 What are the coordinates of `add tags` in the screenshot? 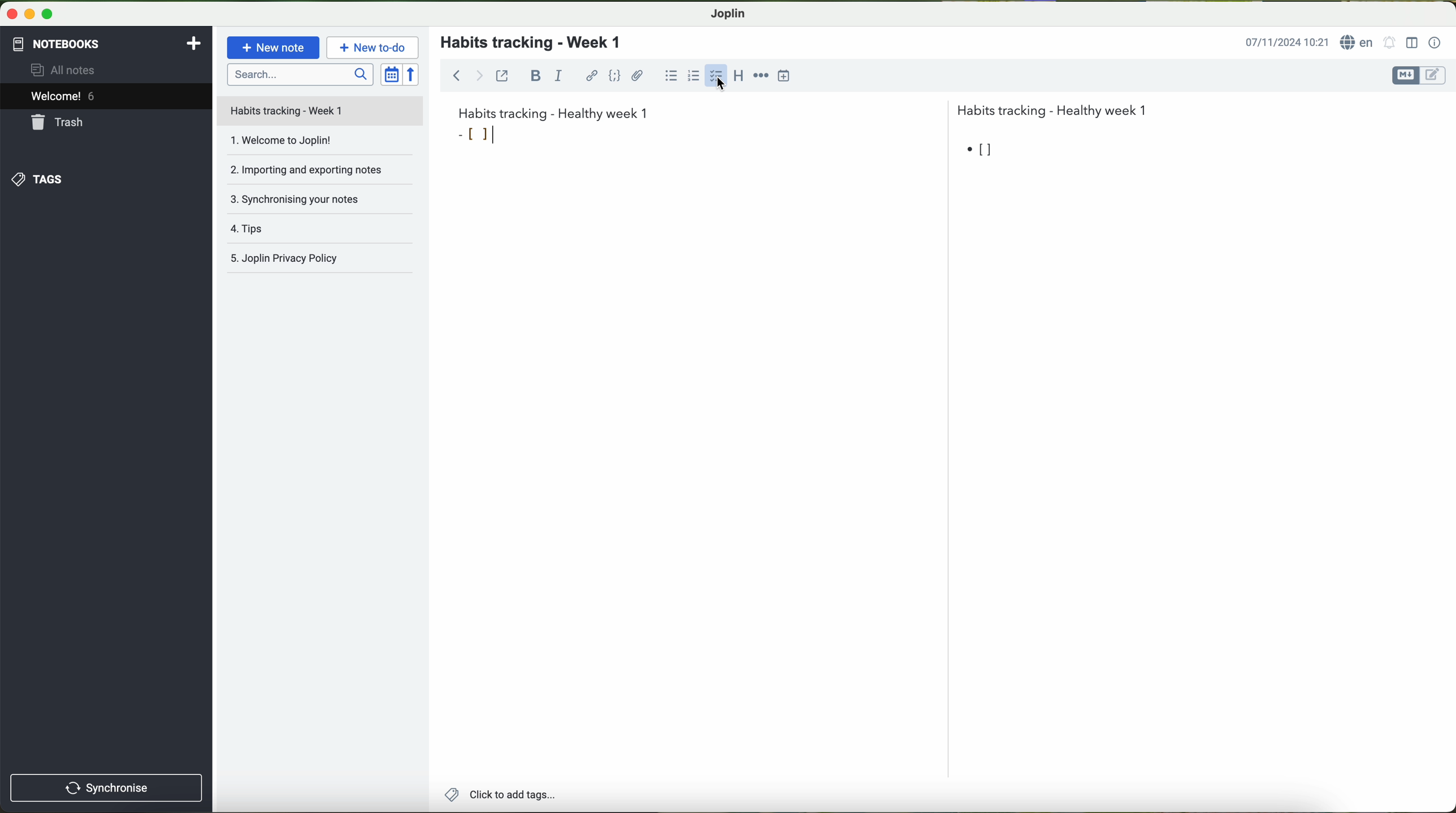 It's located at (497, 795).